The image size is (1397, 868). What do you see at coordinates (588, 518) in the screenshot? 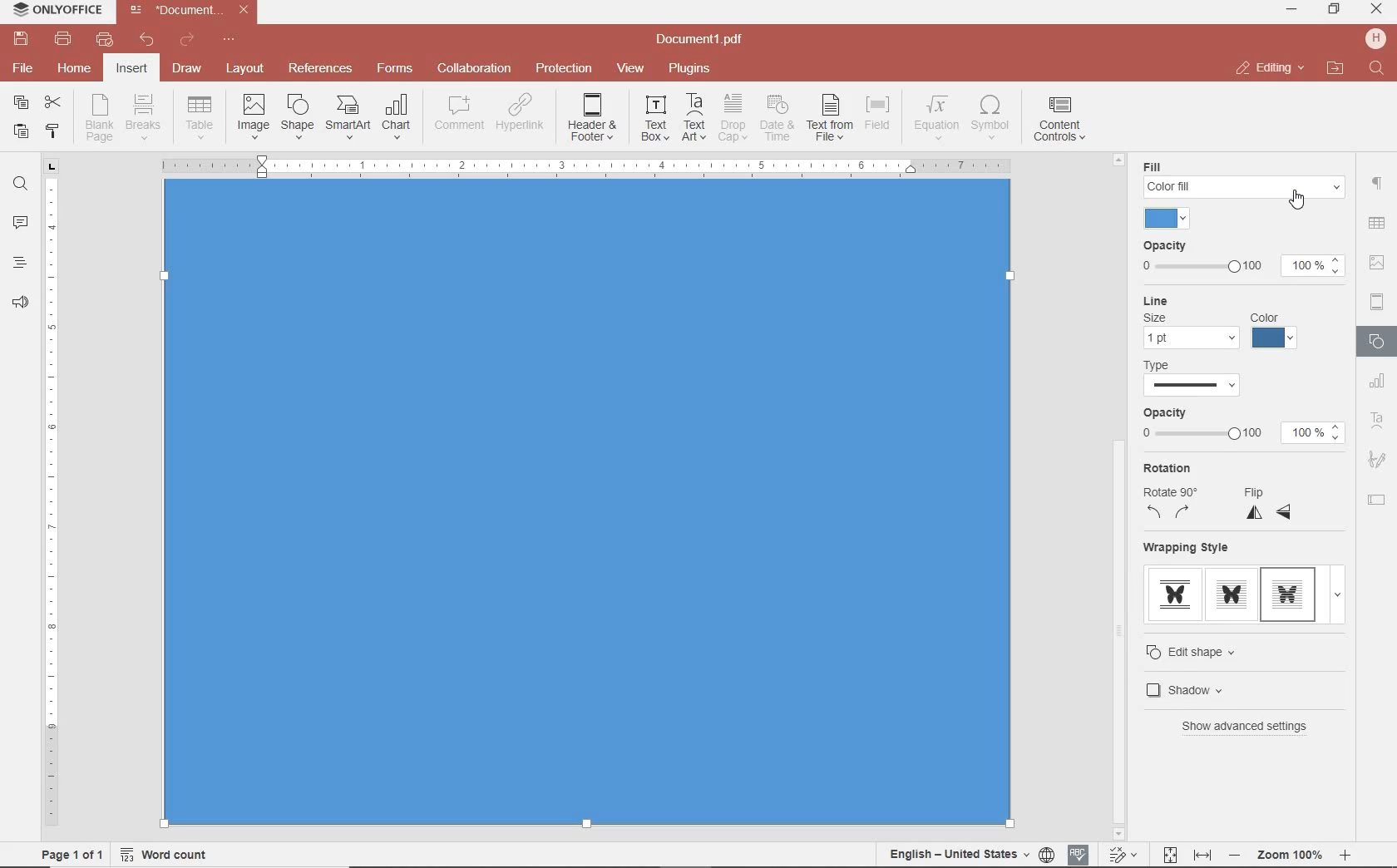
I see `` at bounding box center [588, 518].